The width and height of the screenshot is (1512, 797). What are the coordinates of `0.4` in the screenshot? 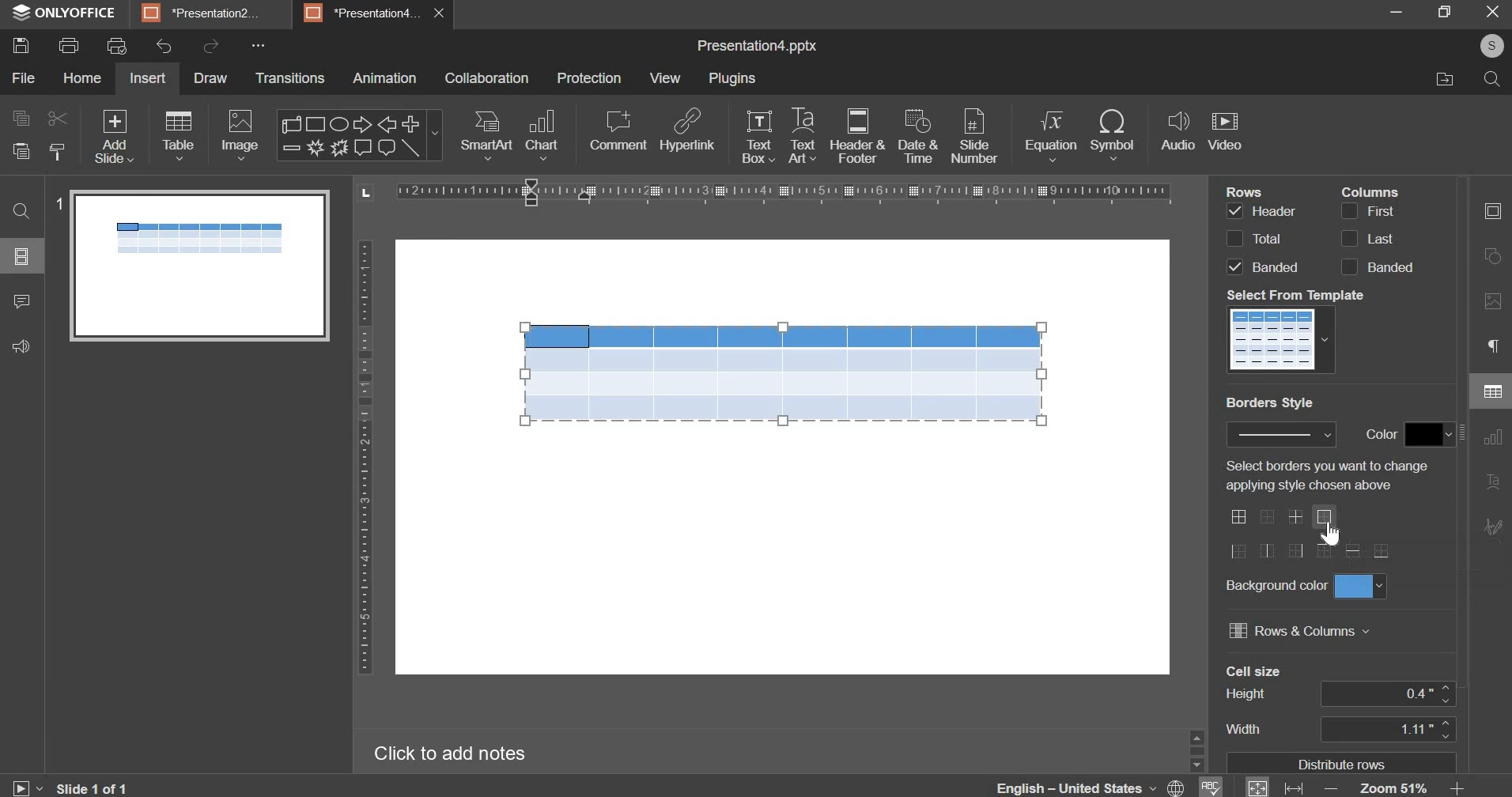 It's located at (1427, 694).